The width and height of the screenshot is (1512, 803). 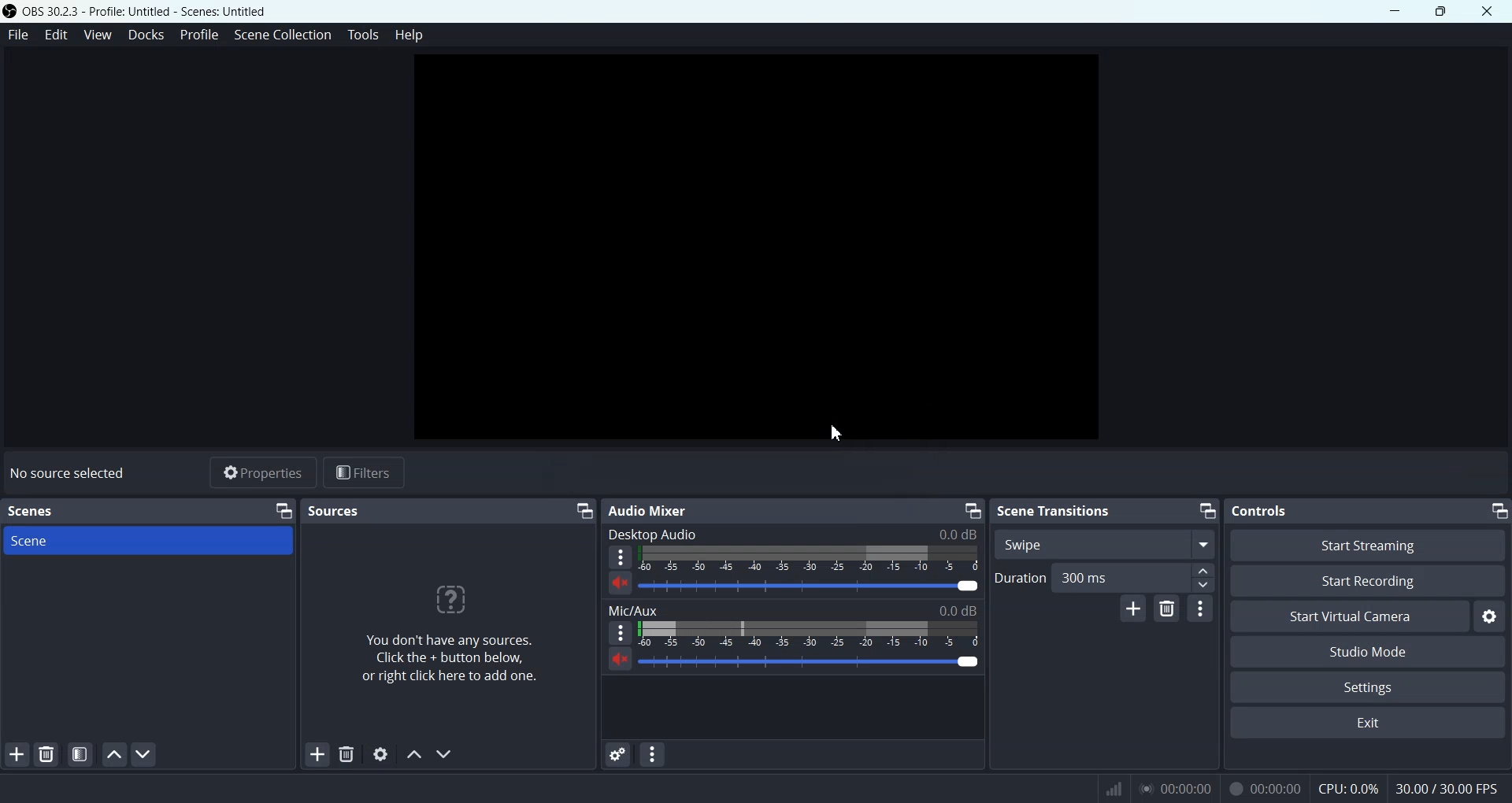 What do you see at coordinates (1262, 786) in the screenshot?
I see `00:00:00` at bounding box center [1262, 786].